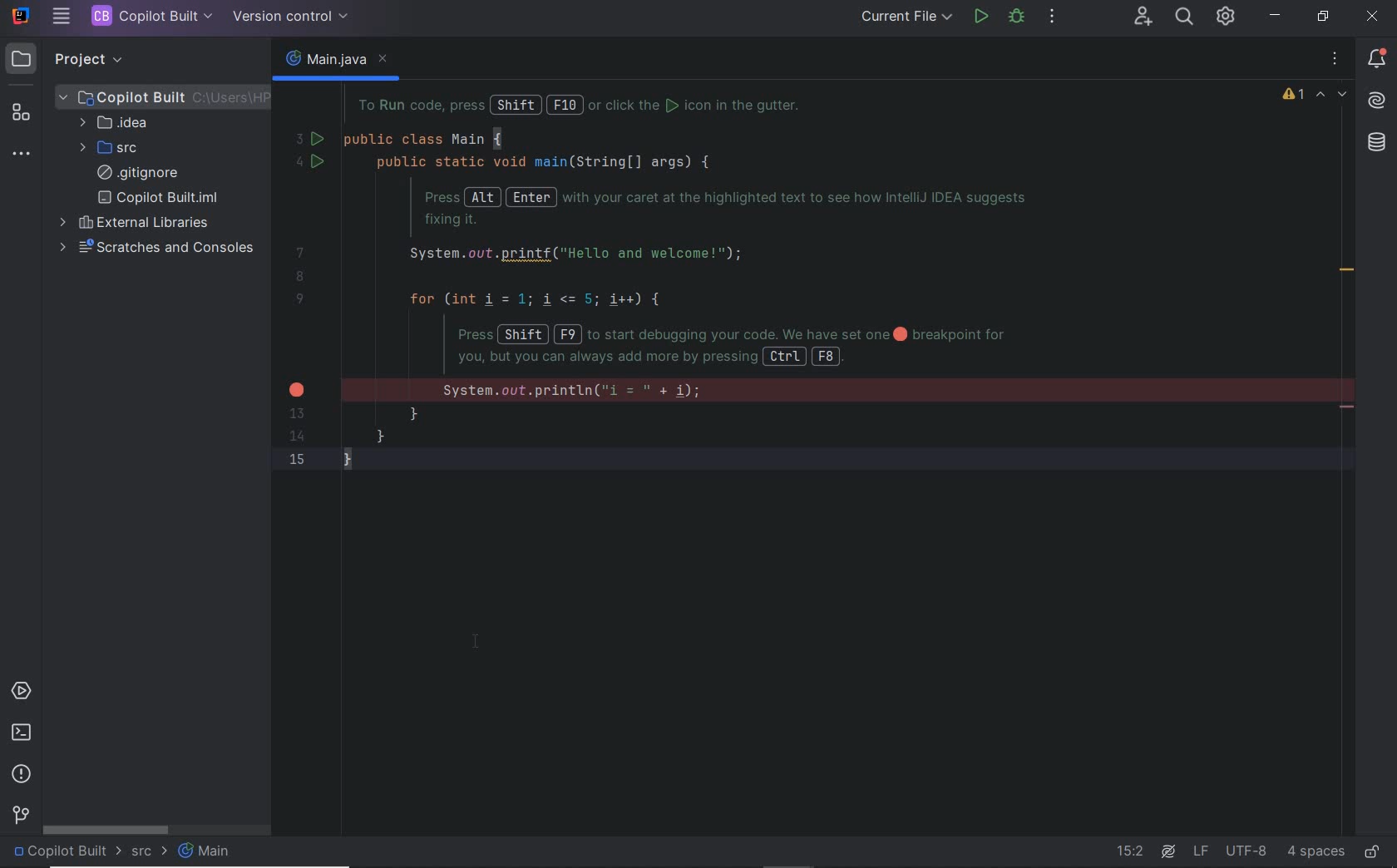  Describe the element at coordinates (111, 147) in the screenshot. I see `SRC` at that location.